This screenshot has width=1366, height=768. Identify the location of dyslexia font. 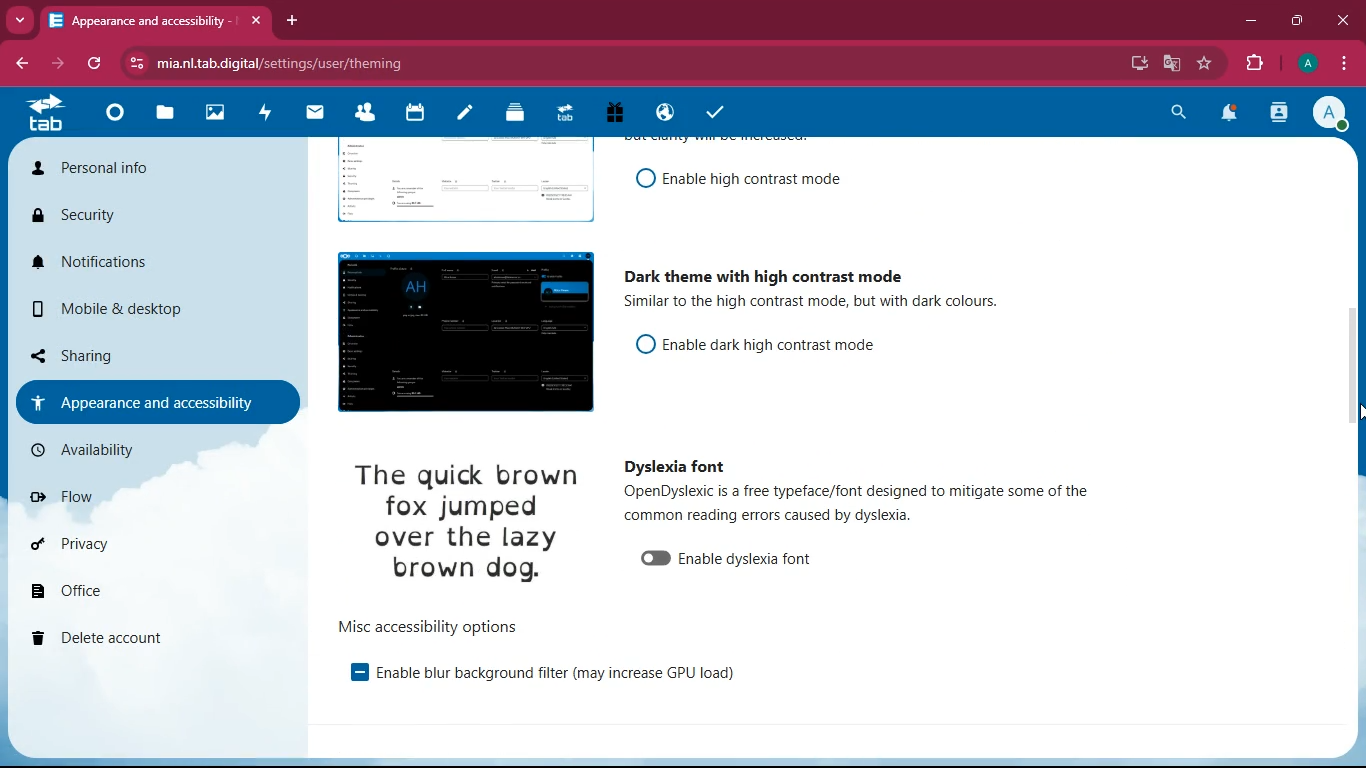
(674, 467).